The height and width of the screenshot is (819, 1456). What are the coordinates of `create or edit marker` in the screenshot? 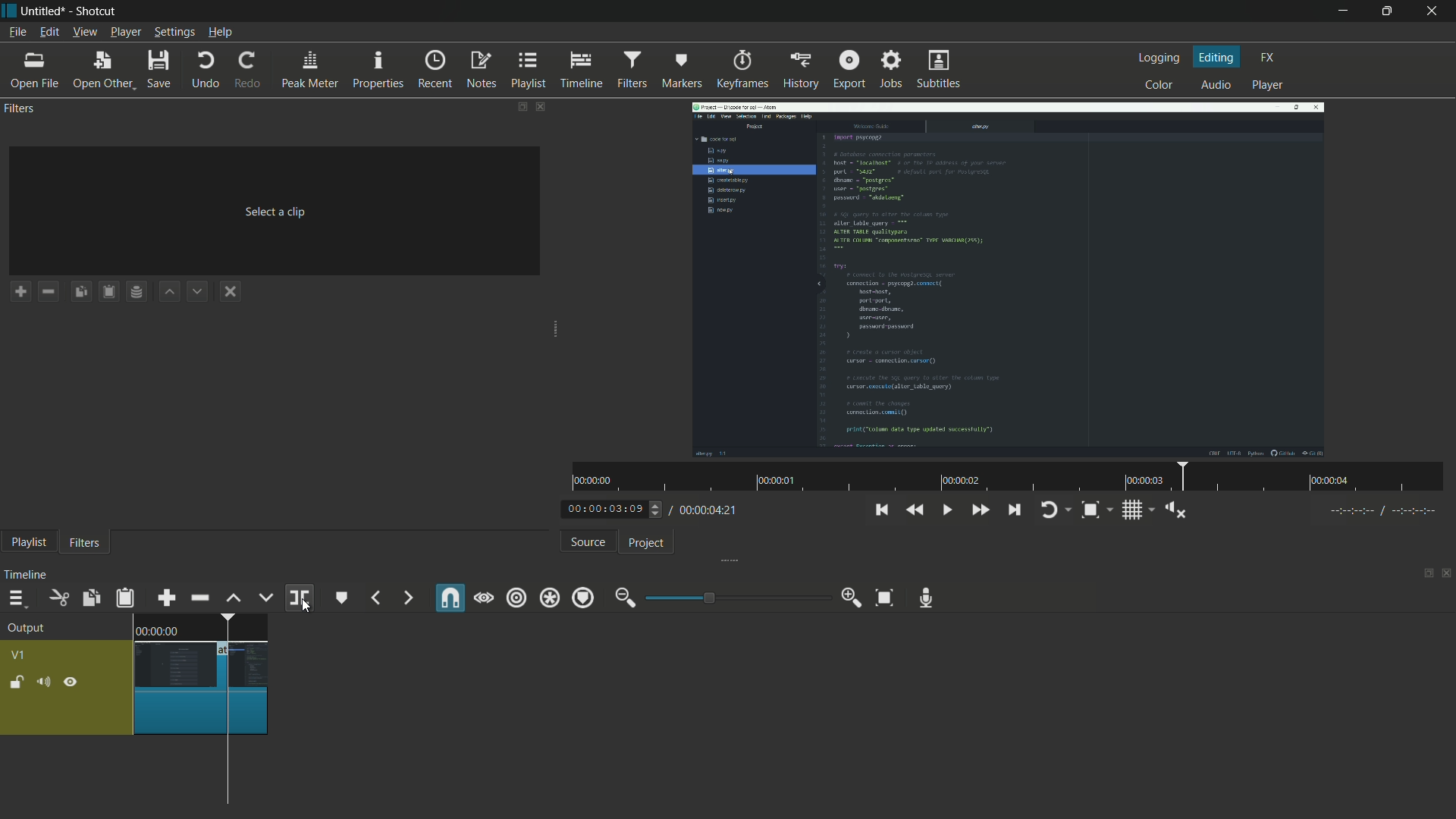 It's located at (340, 598).